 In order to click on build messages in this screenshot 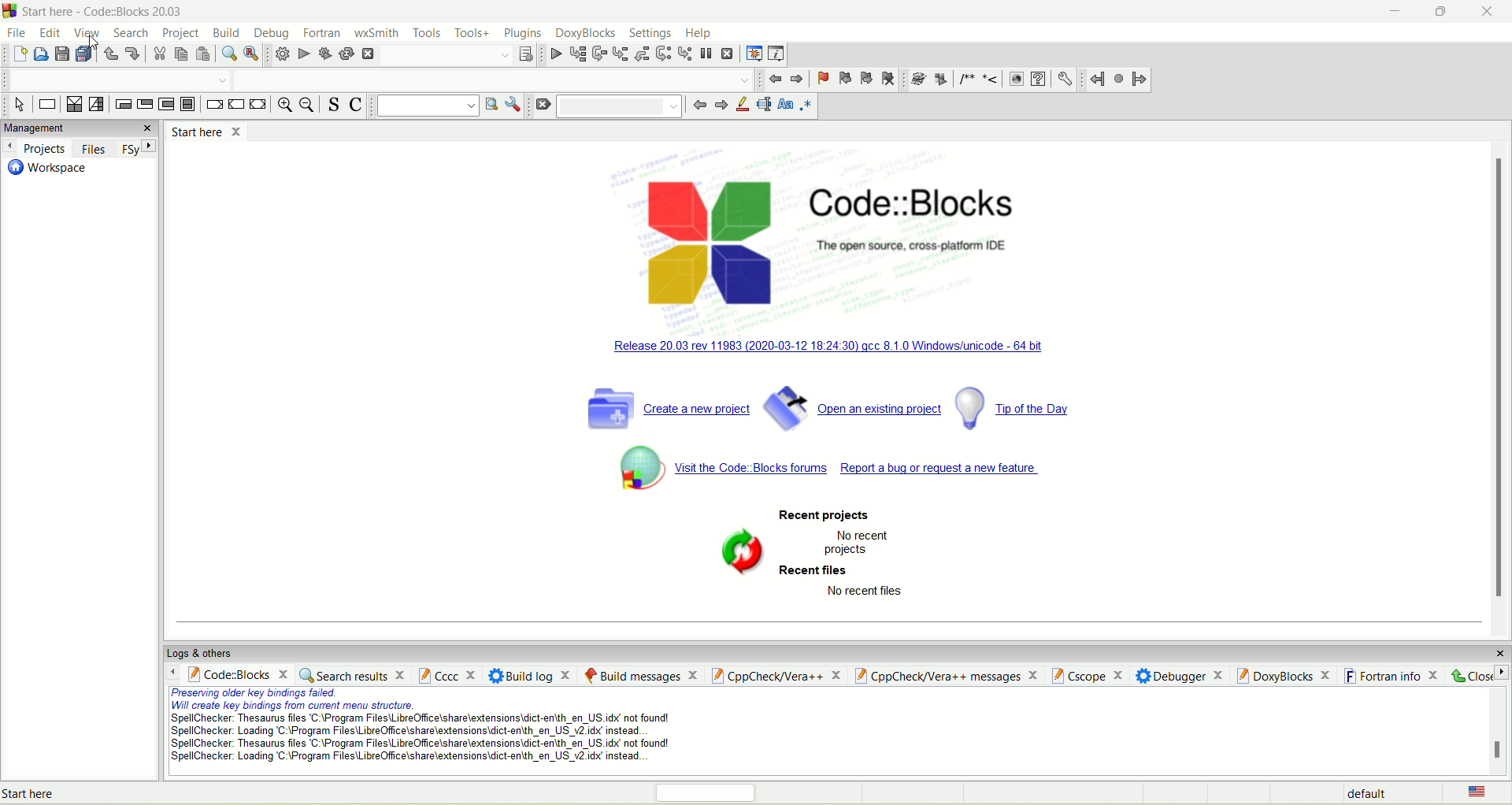, I will do `click(639, 674)`.